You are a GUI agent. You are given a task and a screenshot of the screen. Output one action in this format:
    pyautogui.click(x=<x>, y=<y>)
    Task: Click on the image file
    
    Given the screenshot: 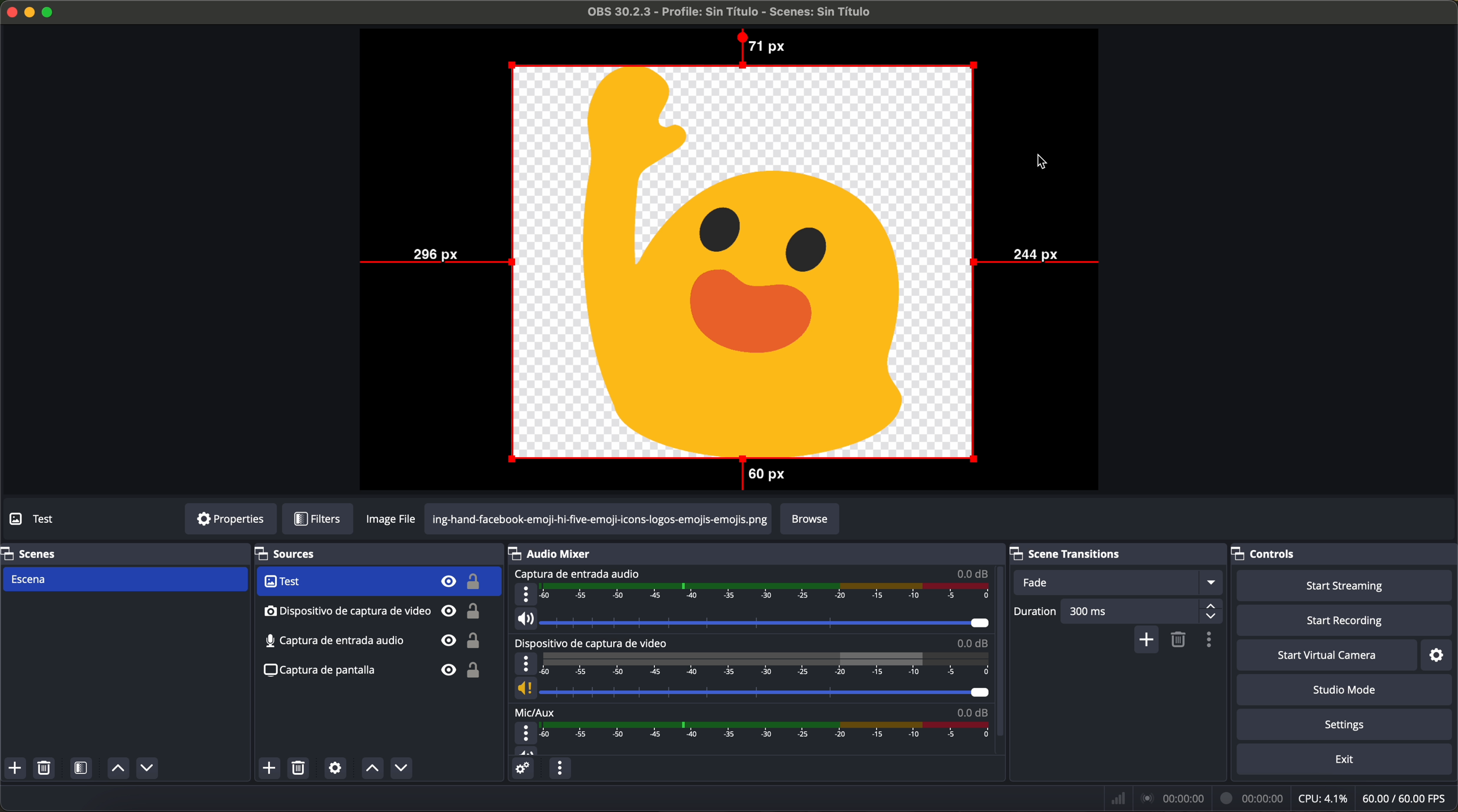 What is the action you would take?
    pyautogui.click(x=393, y=519)
    